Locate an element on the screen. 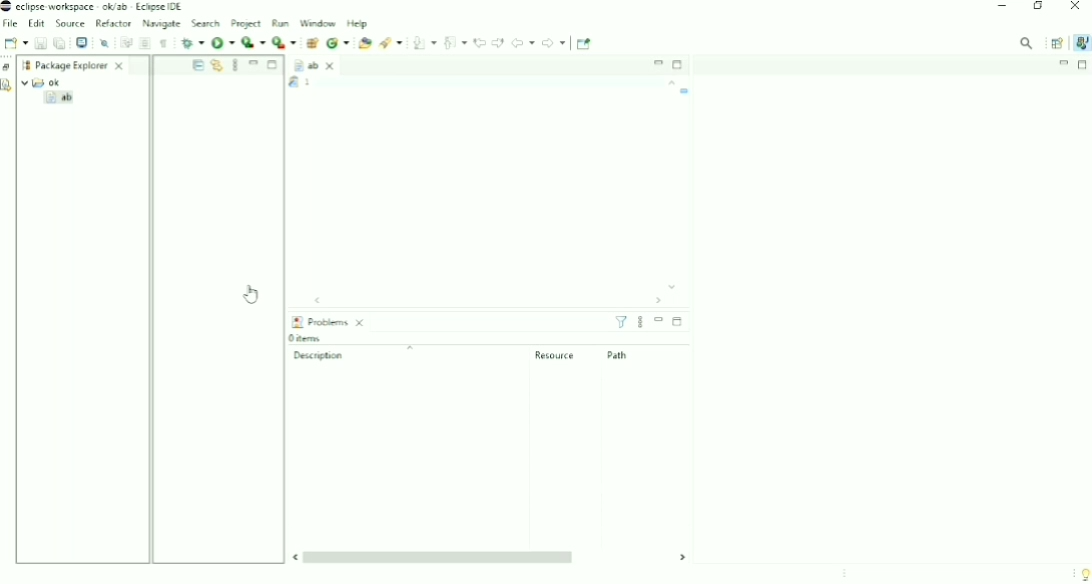 Image resolution: width=1092 pixels, height=584 pixels. Link with Editor is located at coordinates (216, 65).